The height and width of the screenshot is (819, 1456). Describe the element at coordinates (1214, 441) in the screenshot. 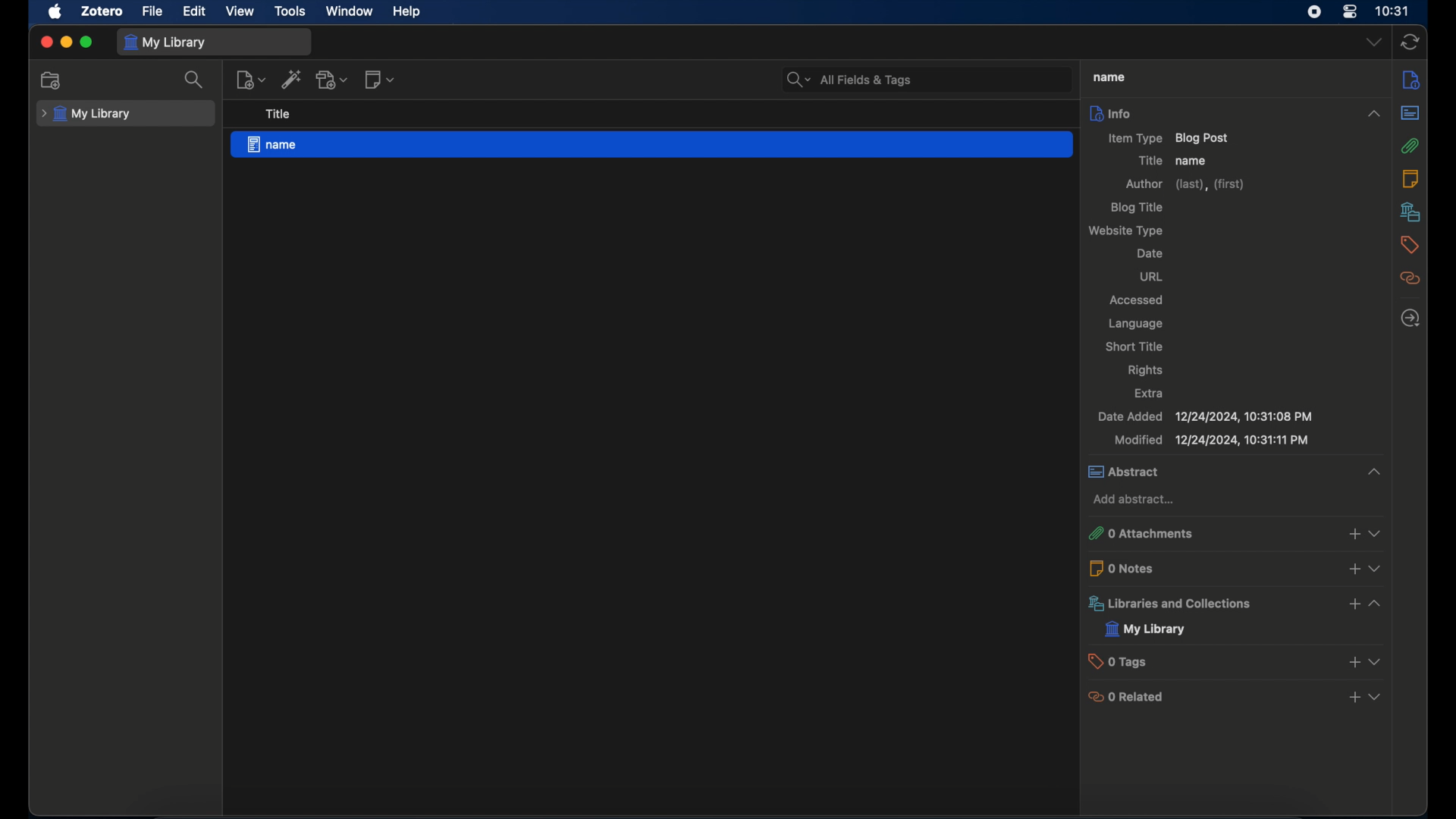

I see `modified` at that location.